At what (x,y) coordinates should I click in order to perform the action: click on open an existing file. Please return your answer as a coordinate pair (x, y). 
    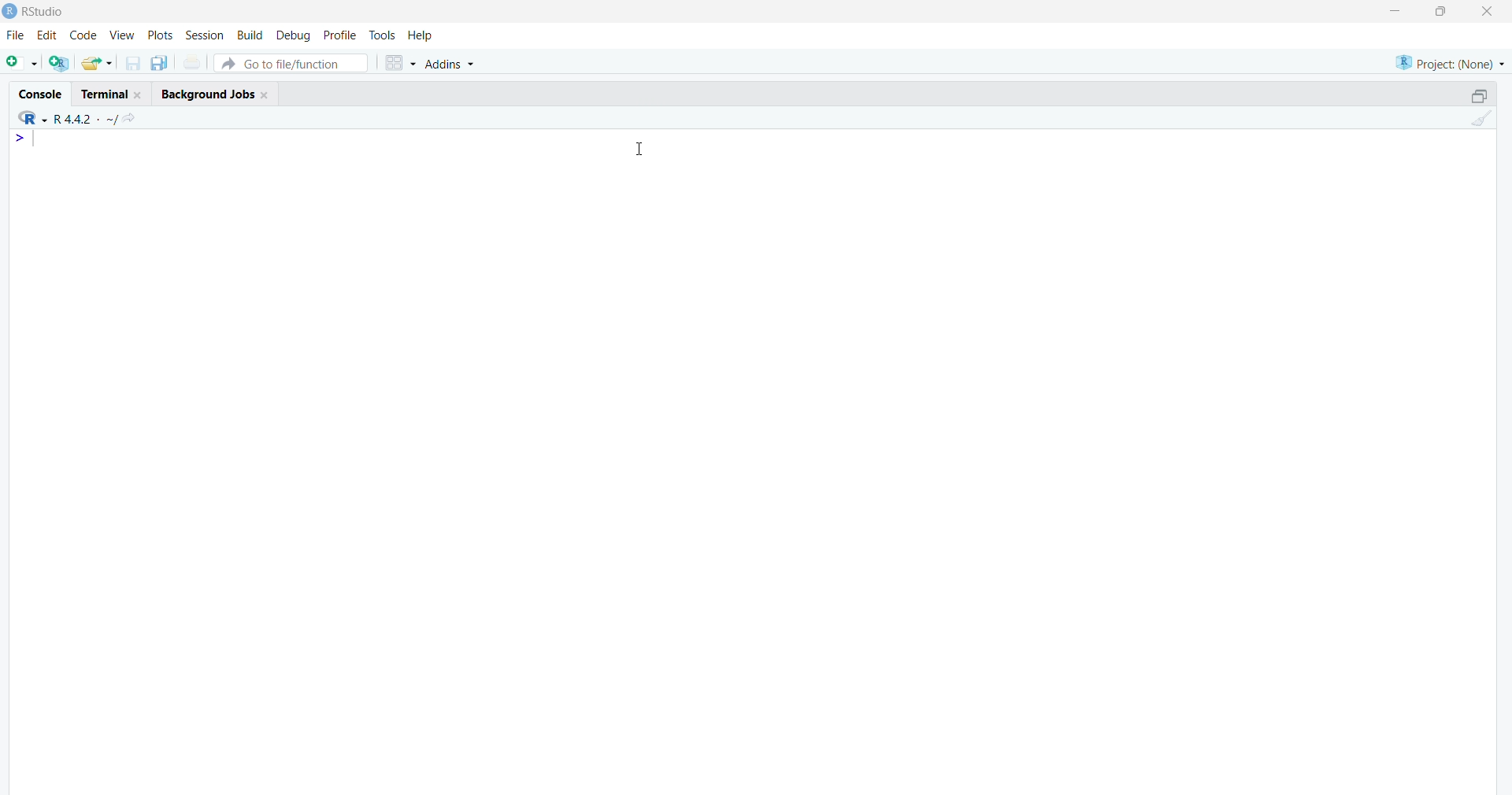
    Looking at the image, I should click on (96, 62).